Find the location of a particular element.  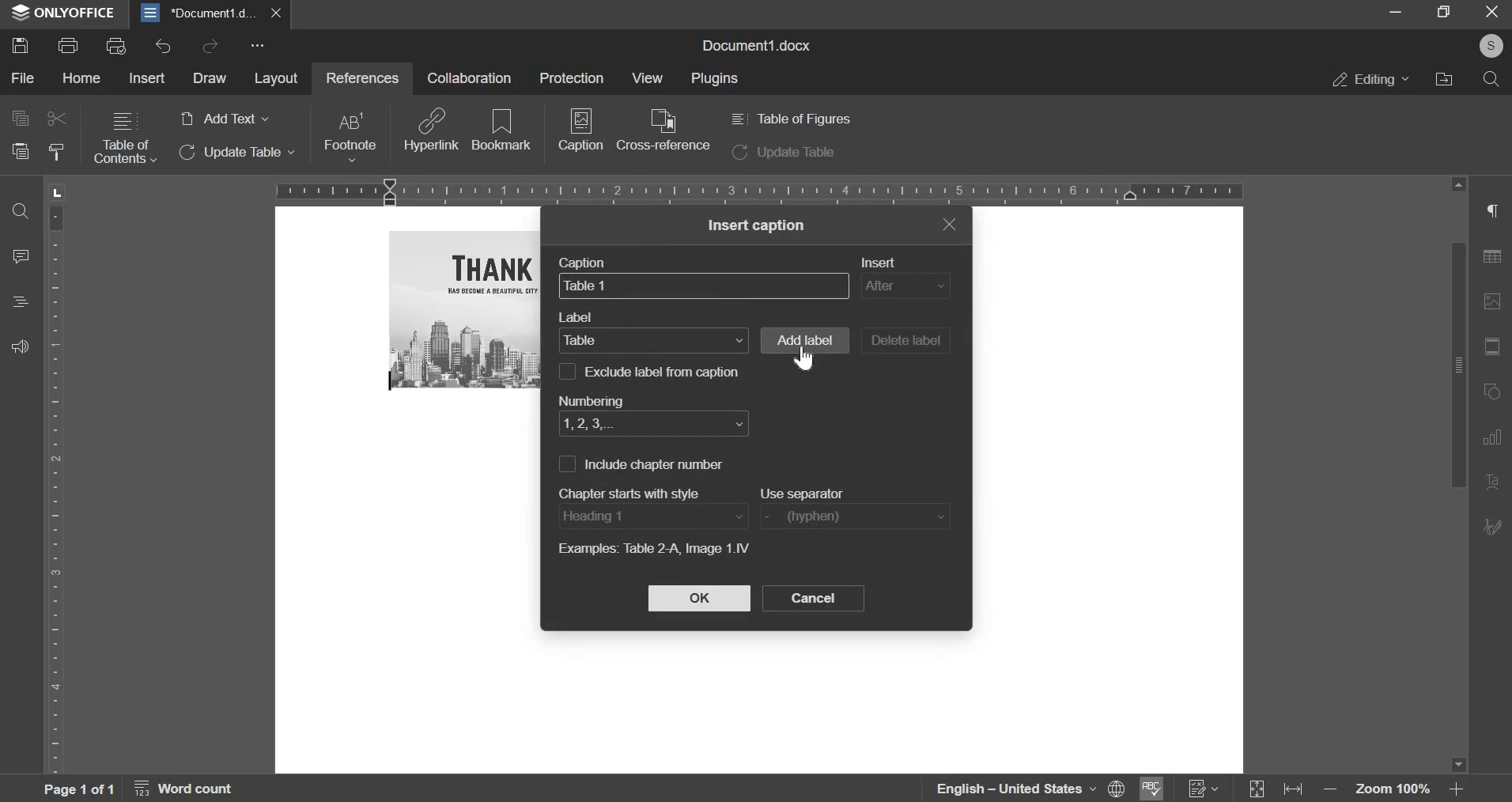

add text is located at coordinates (223, 119).